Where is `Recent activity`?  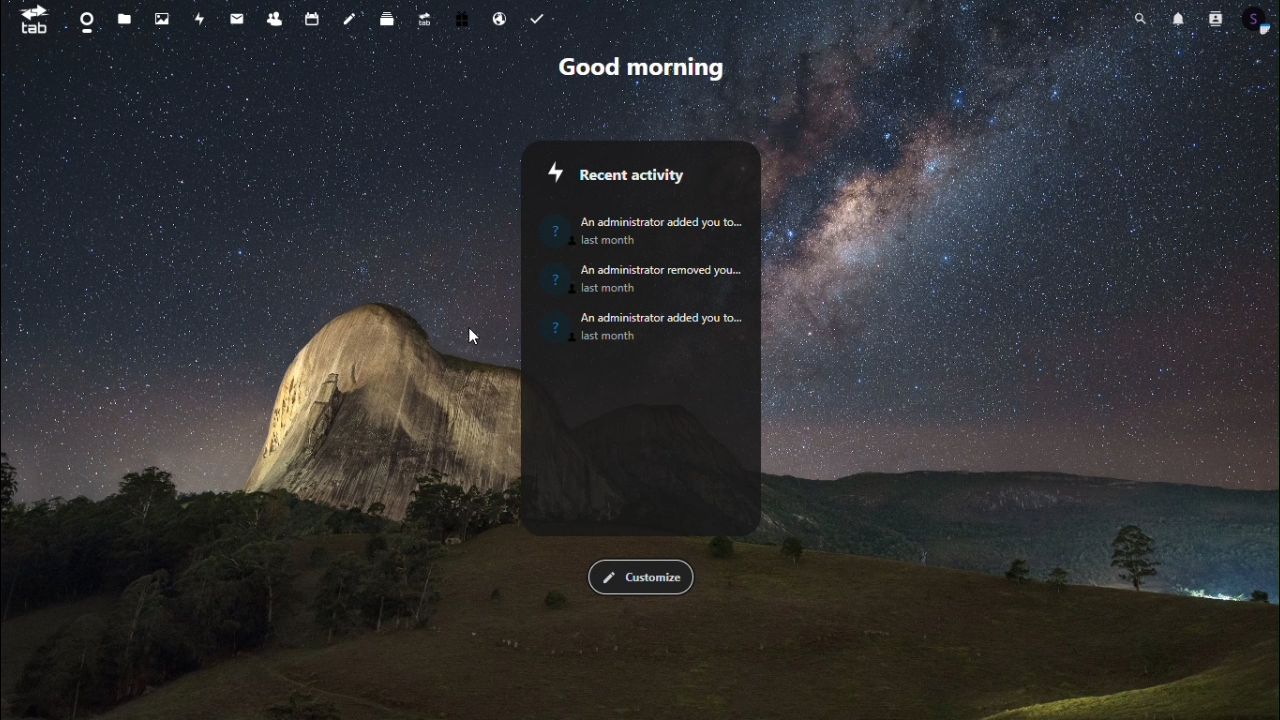 Recent activity is located at coordinates (635, 176).